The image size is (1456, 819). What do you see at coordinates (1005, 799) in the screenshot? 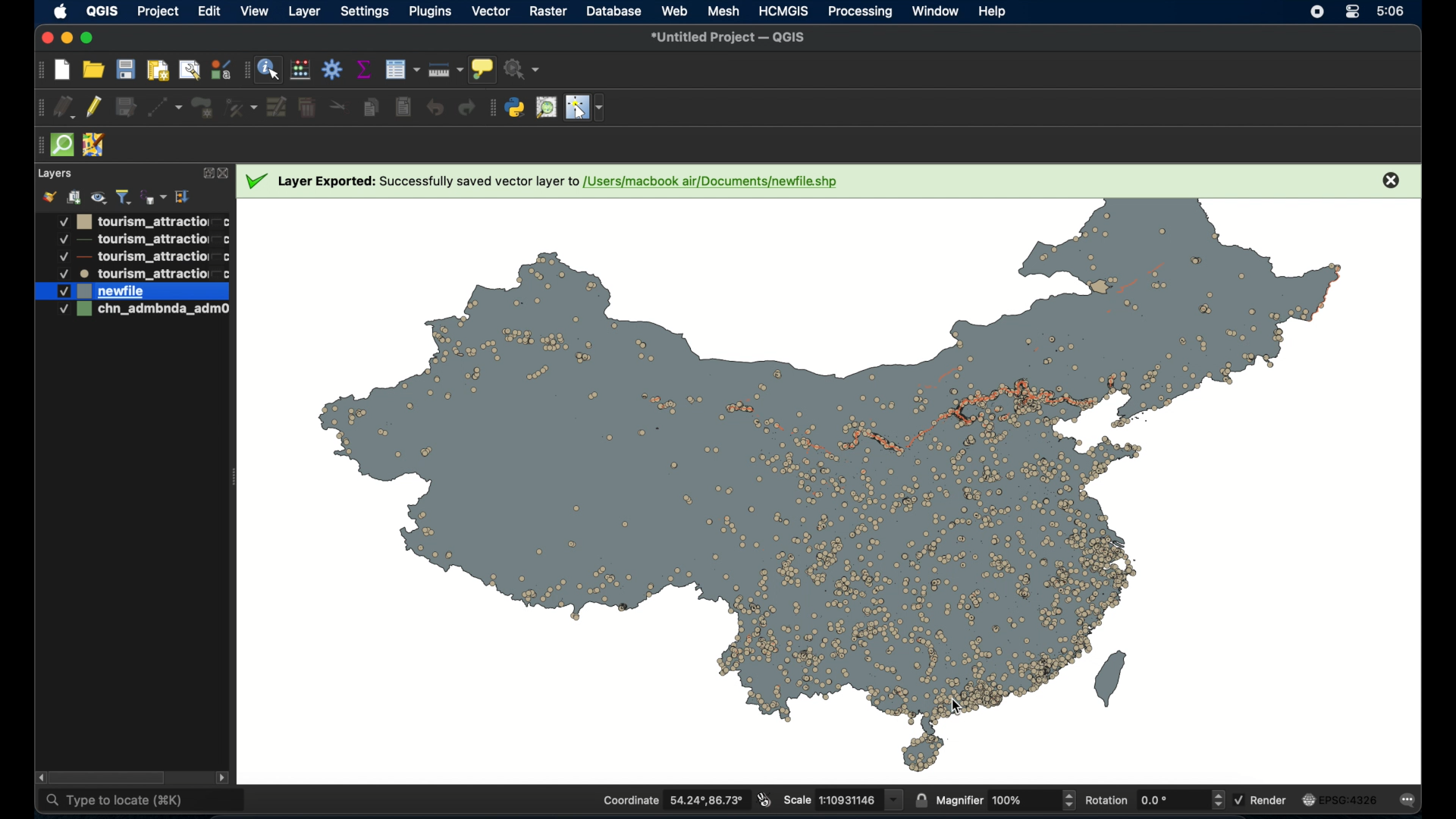
I see `magnifier` at bounding box center [1005, 799].